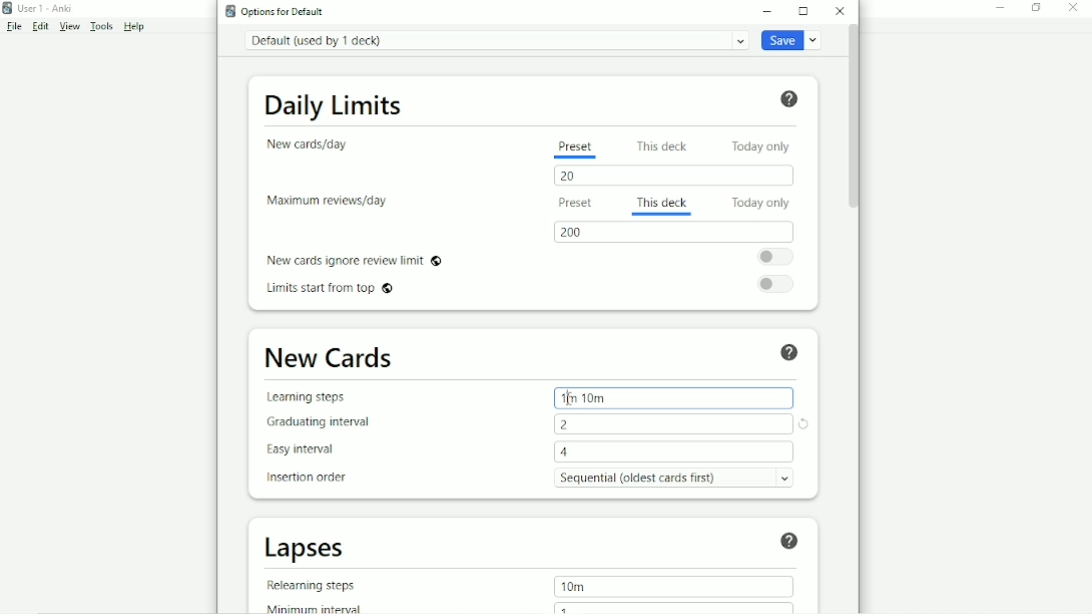 This screenshot has width=1092, height=614. I want to click on Tools, so click(102, 26).